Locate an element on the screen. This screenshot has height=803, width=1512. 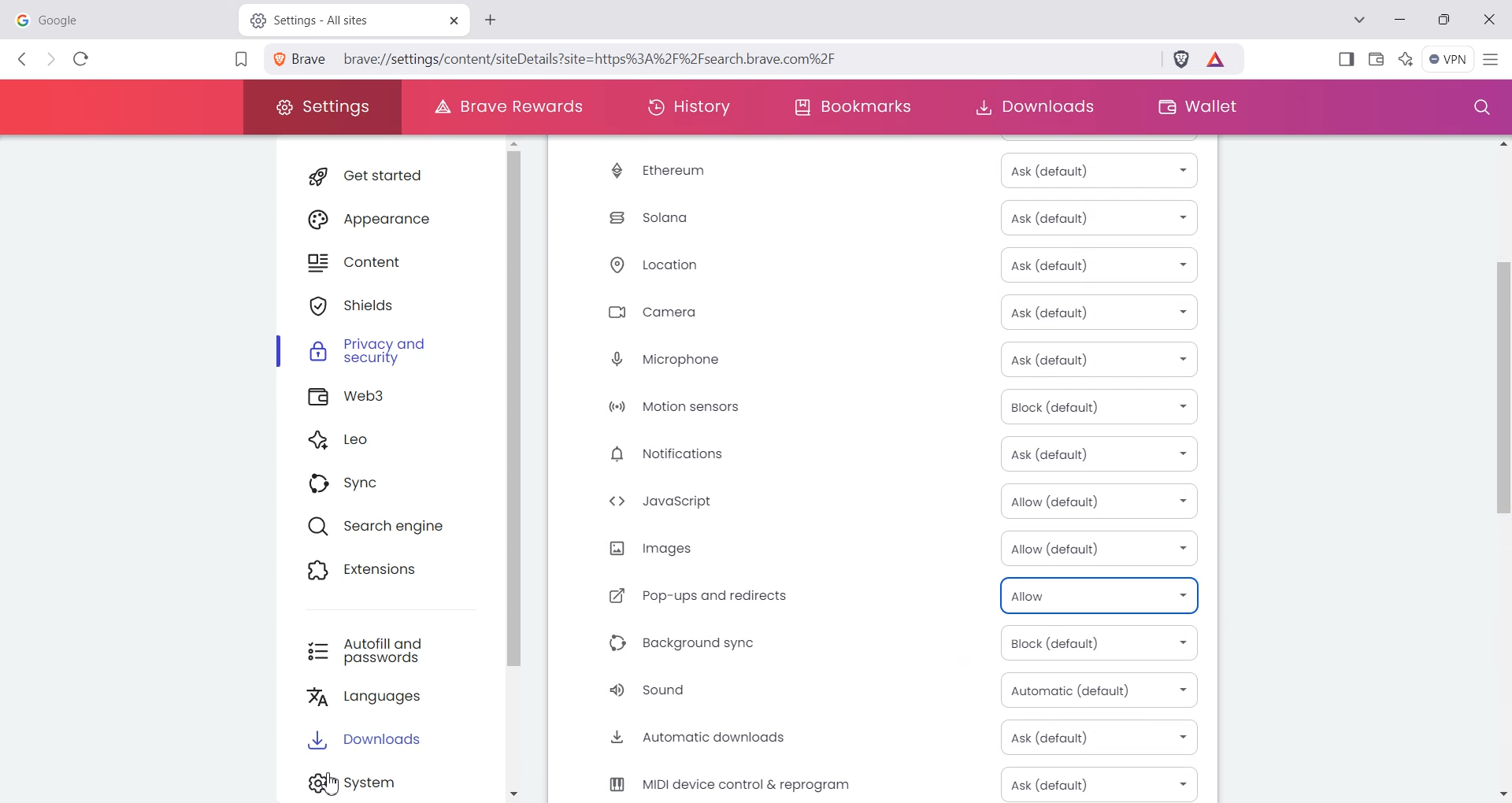
Bookmark is located at coordinates (240, 61).